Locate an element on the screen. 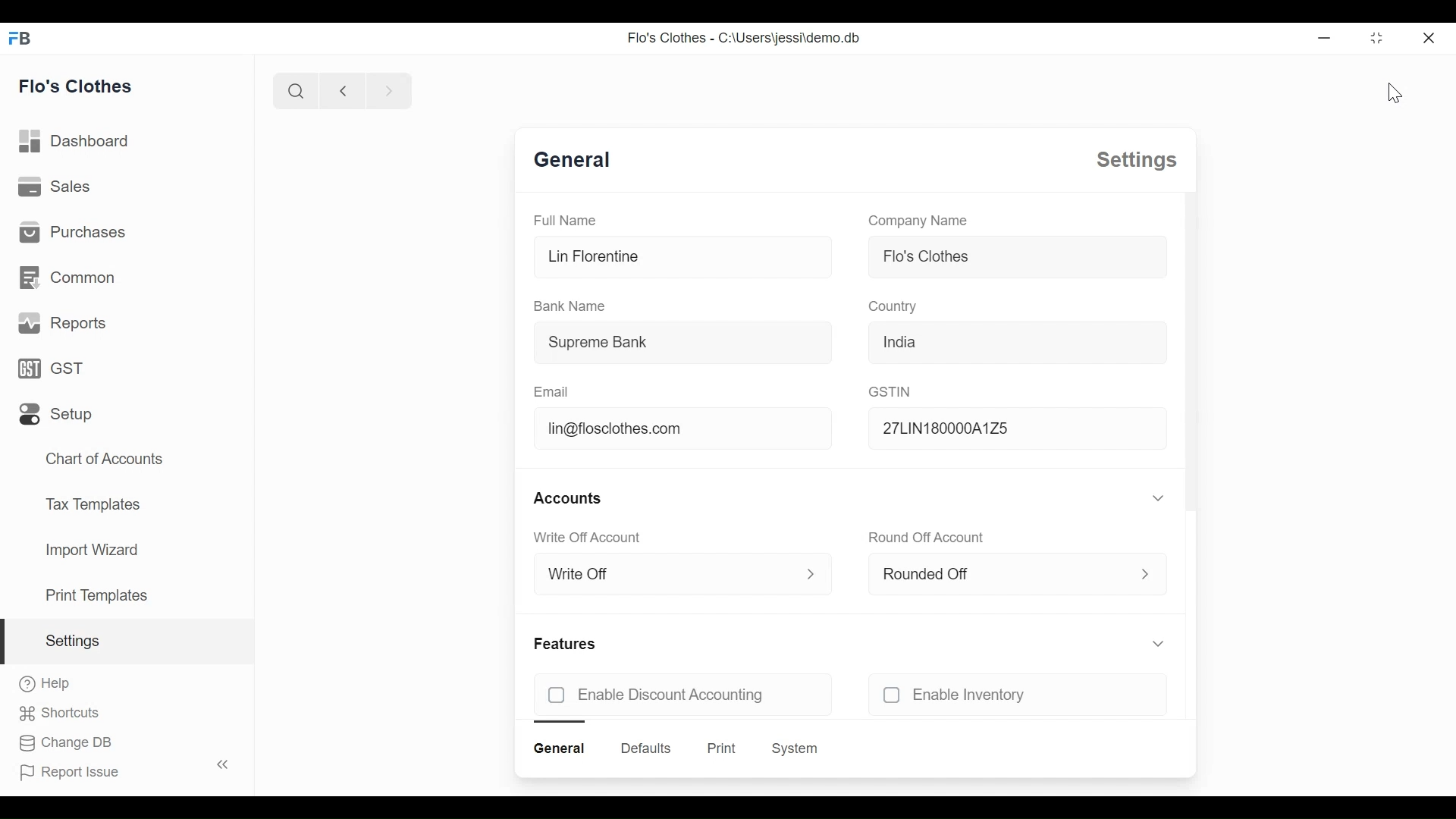  system is located at coordinates (795, 748).